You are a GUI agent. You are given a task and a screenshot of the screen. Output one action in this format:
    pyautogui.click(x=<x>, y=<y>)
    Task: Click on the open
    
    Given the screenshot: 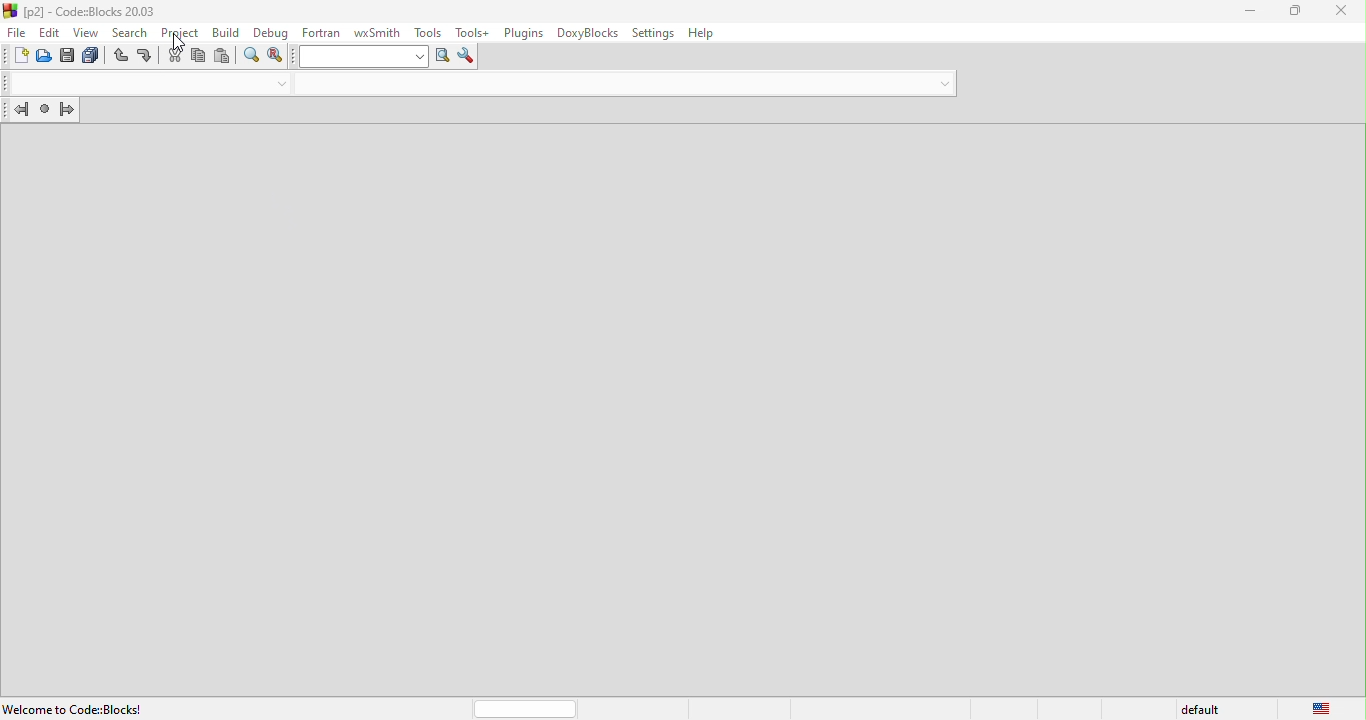 What is the action you would take?
    pyautogui.click(x=46, y=57)
    